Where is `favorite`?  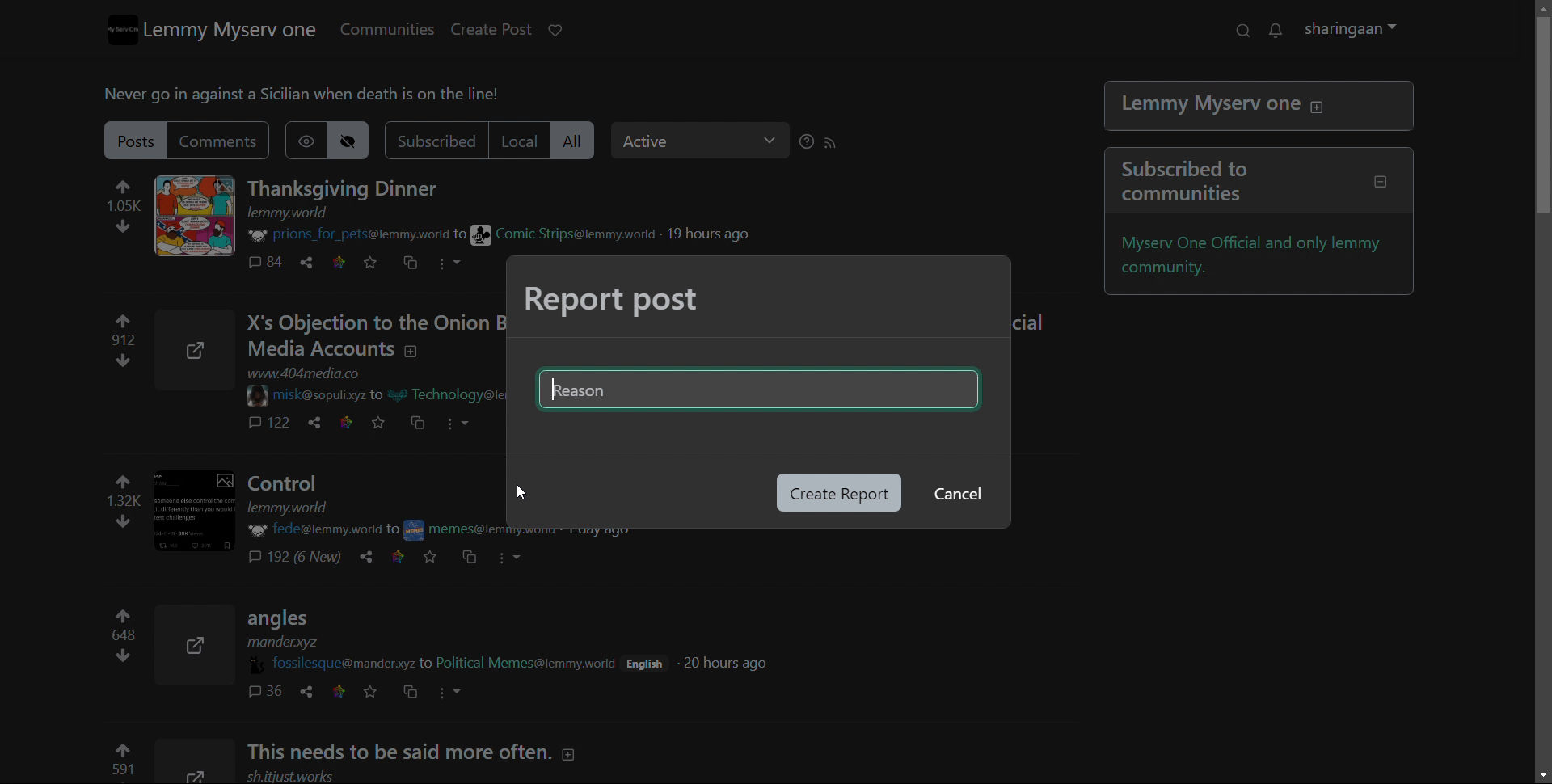 favorite is located at coordinates (379, 263).